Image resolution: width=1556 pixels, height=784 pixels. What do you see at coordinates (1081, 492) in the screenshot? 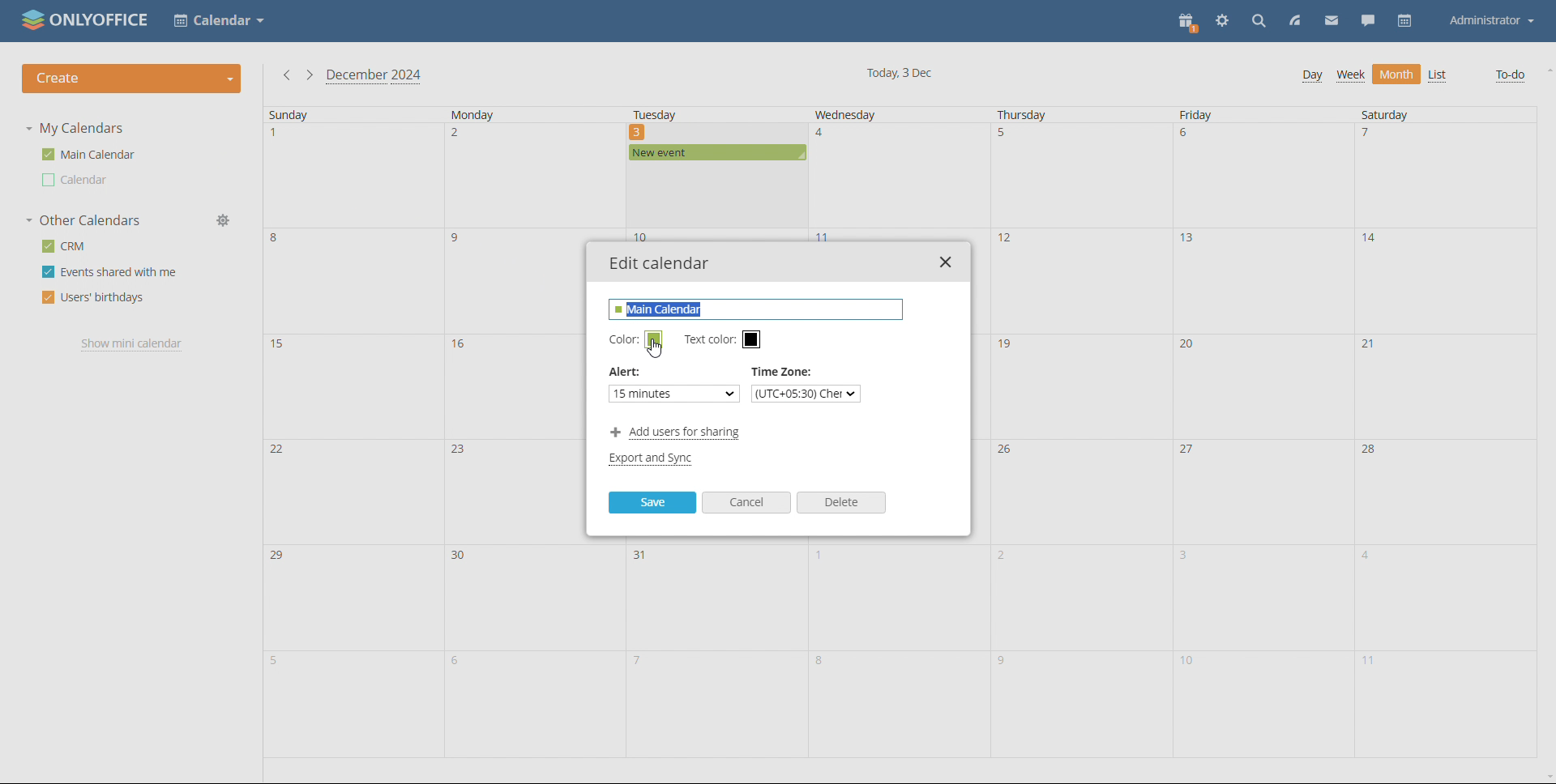
I see `adte` at bounding box center [1081, 492].